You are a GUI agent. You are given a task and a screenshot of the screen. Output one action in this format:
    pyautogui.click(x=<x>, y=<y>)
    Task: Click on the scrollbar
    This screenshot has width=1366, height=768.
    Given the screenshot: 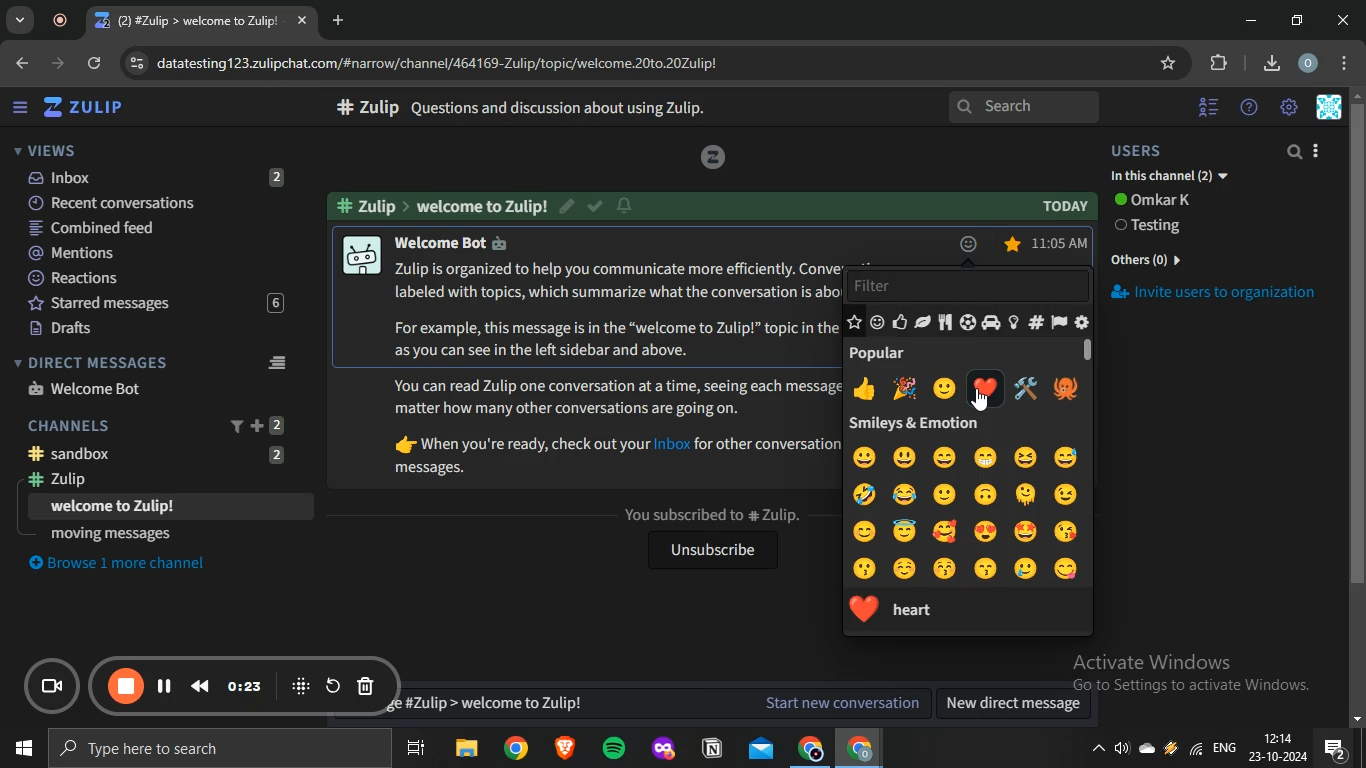 What is the action you would take?
    pyautogui.click(x=1091, y=356)
    